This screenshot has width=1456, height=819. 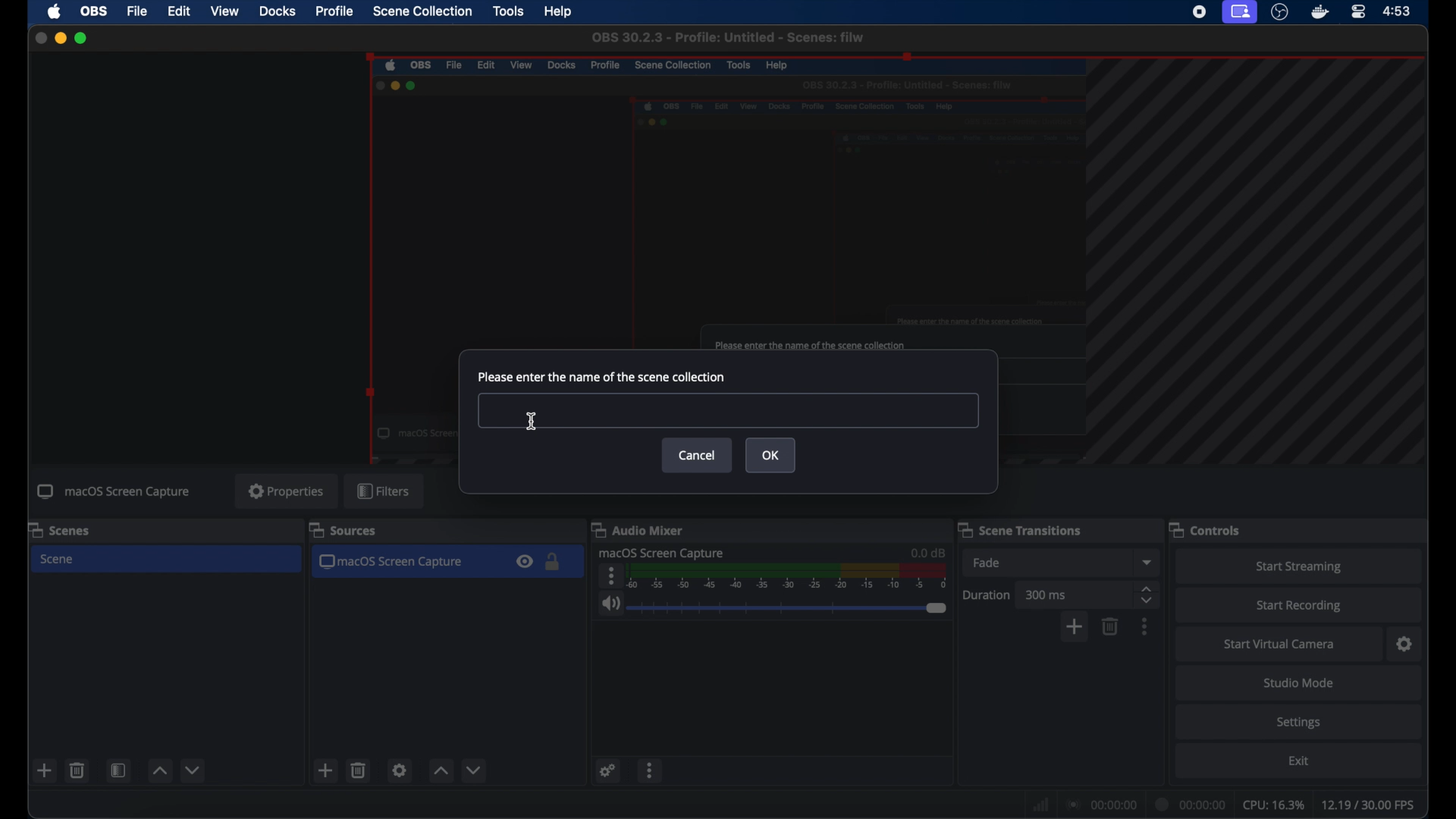 What do you see at coordinates (179, 12) in the screenshot?
I see `edit` at bounding box center [179, 12].